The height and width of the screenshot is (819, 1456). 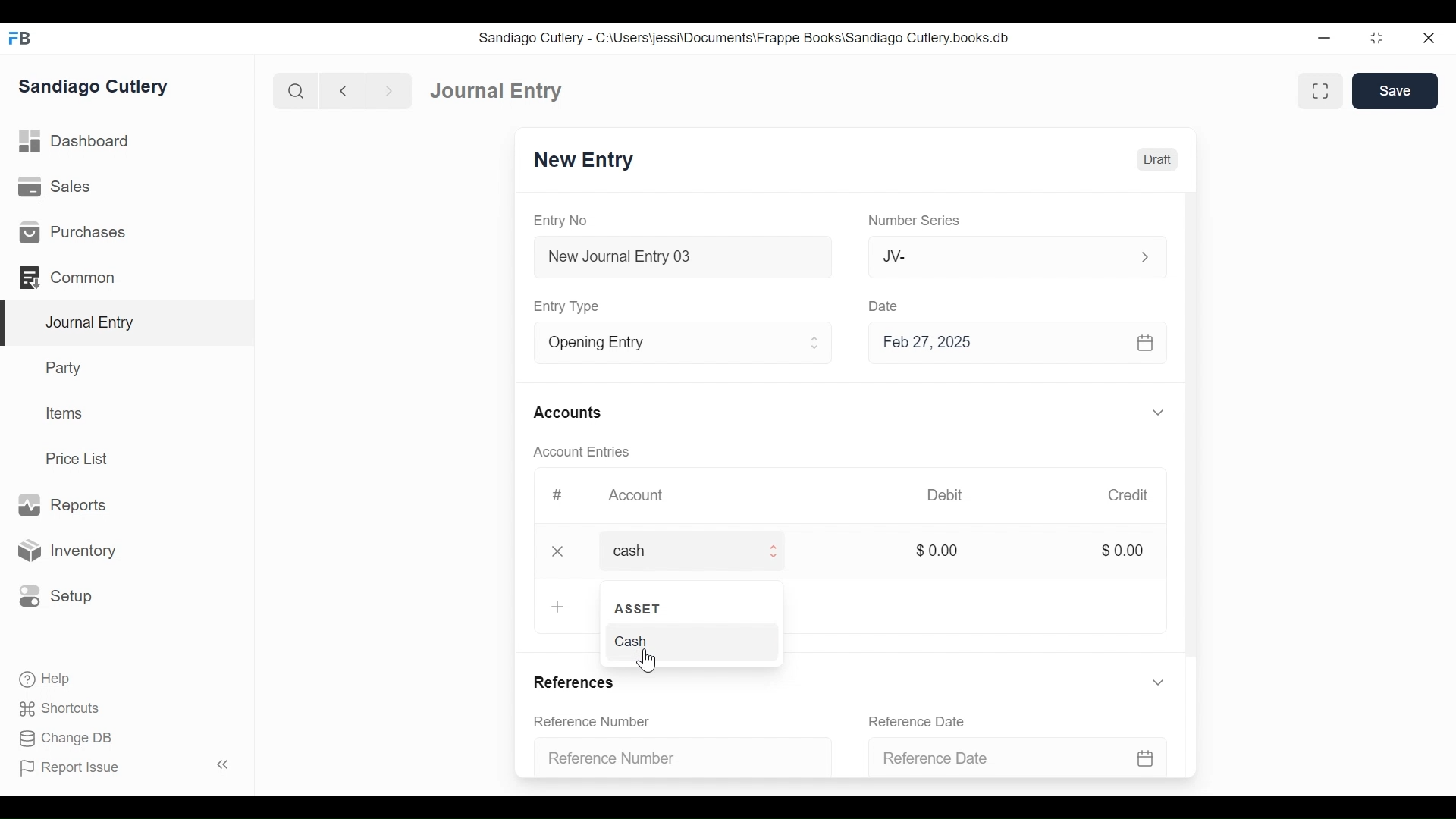 I want to click on Report Issue, so click(x=71, y=768).